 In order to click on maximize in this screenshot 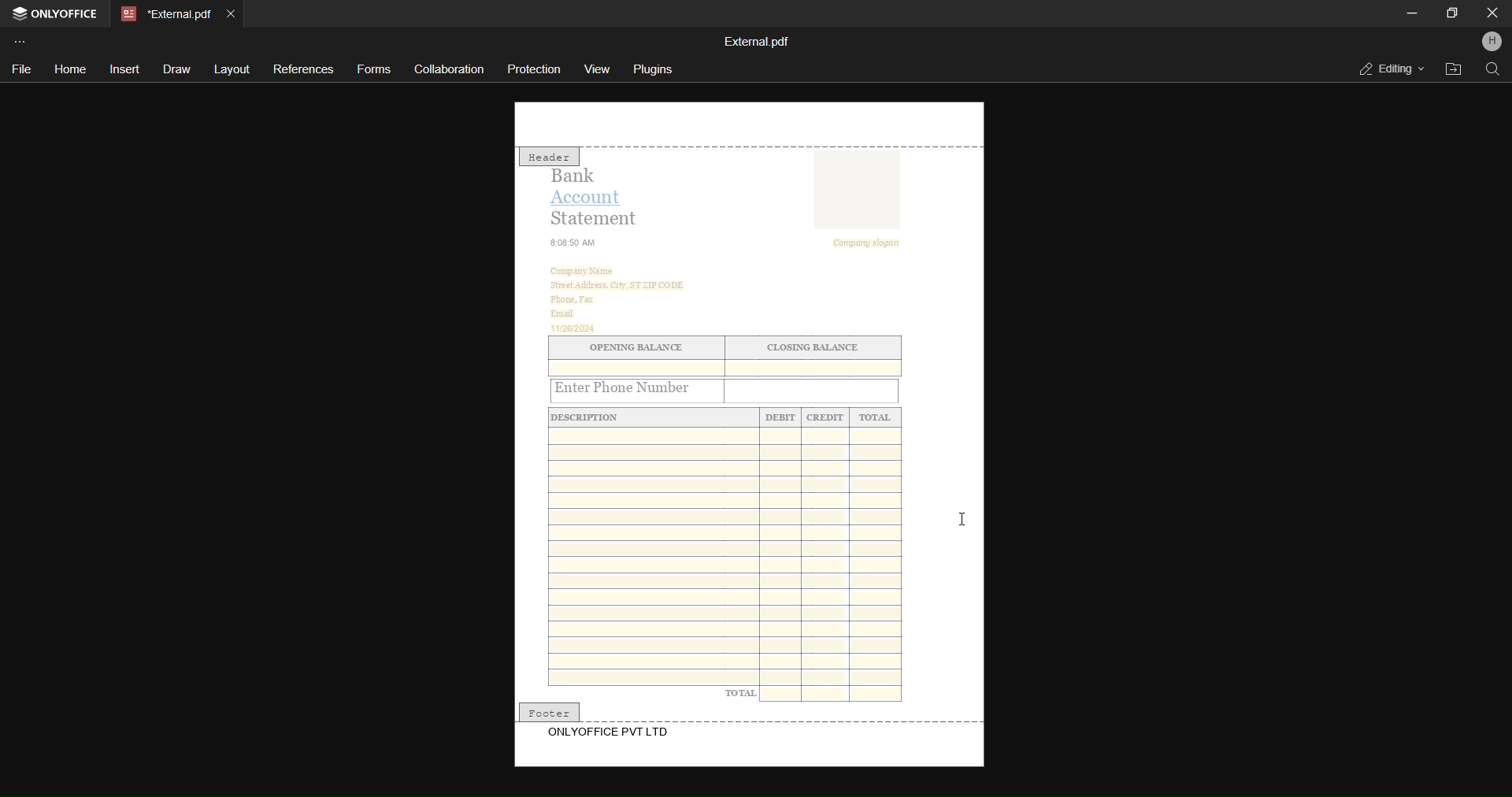, I will do `click(1452, 12)`.